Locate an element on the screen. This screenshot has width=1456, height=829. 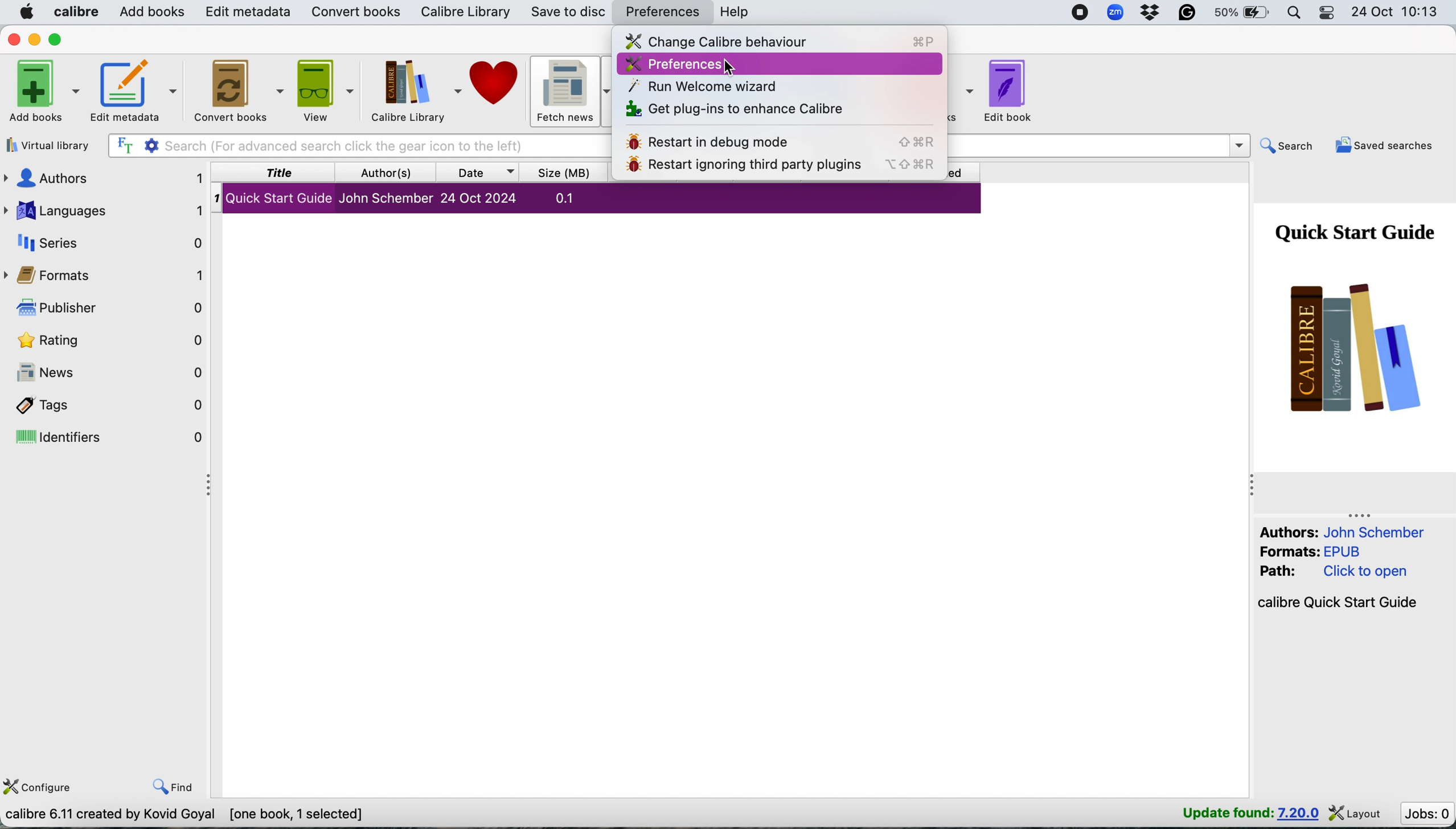
add books is located at coordinates (151, 13).